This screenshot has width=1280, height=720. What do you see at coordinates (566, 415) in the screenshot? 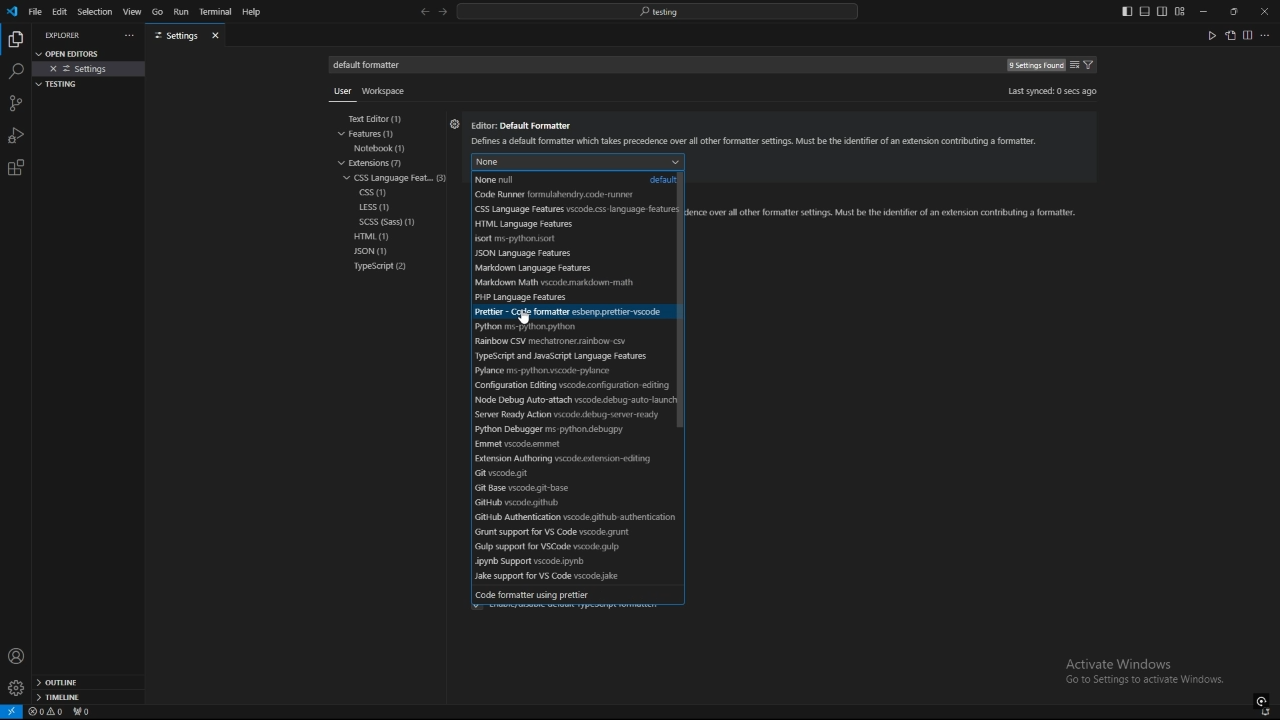
I see `server ready action` at bounding box center [566, 415].